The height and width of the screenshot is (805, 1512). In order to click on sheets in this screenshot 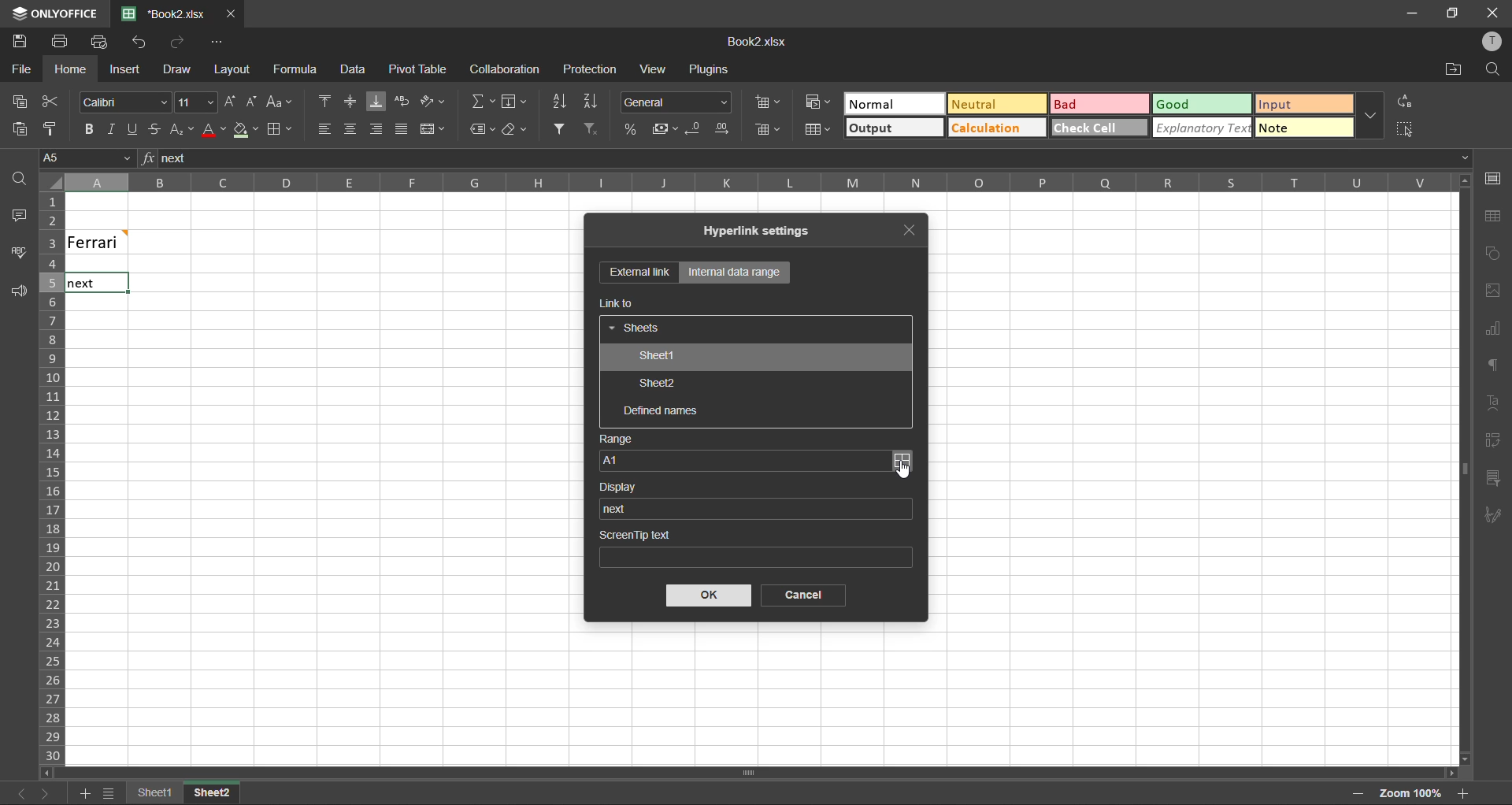, I will do `click(636, 329)`.